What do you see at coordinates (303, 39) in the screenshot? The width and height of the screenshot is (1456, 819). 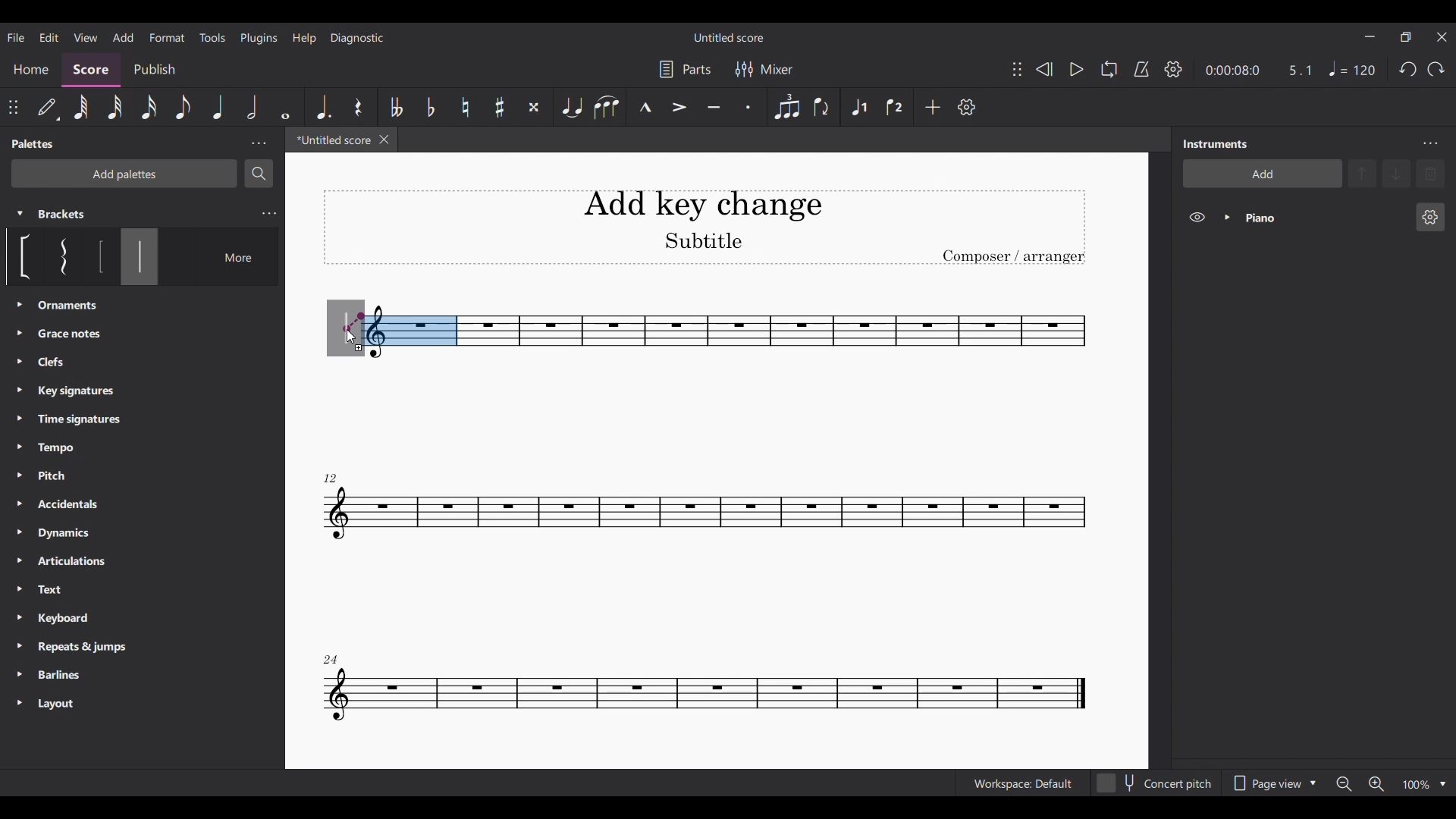 I see `Help menu` at bounding box center [303, 39].